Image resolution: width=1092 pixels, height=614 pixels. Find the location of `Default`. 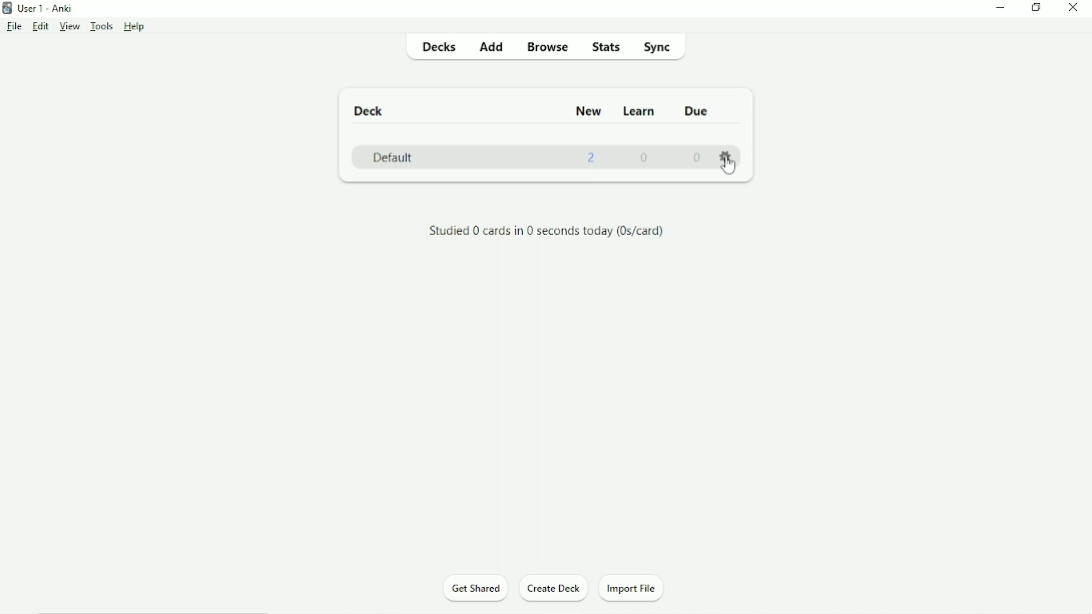

Default is located at coordinates (392, 157).